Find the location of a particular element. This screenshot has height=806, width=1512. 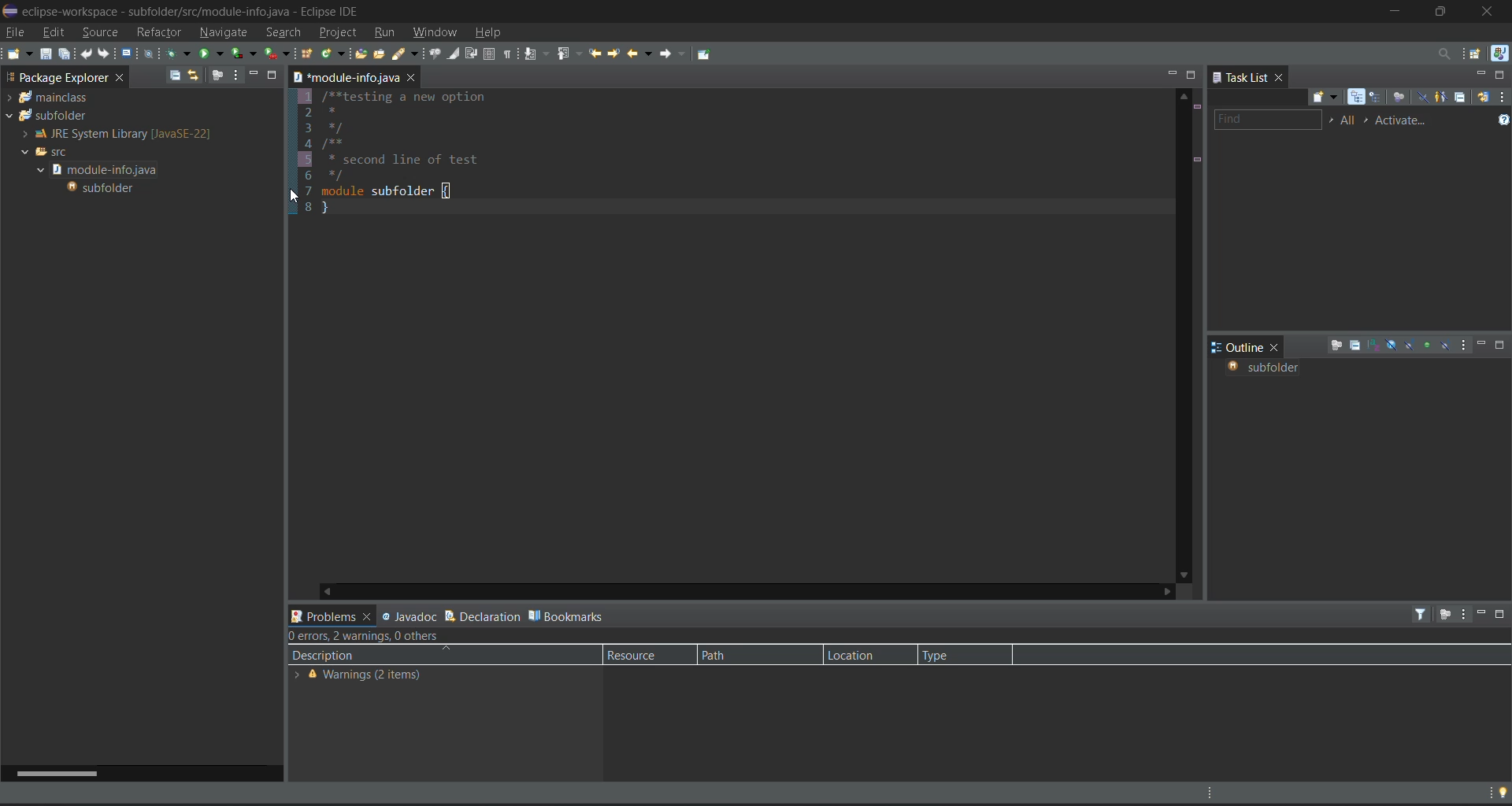

select active task is located at coordinates (1370, 120).